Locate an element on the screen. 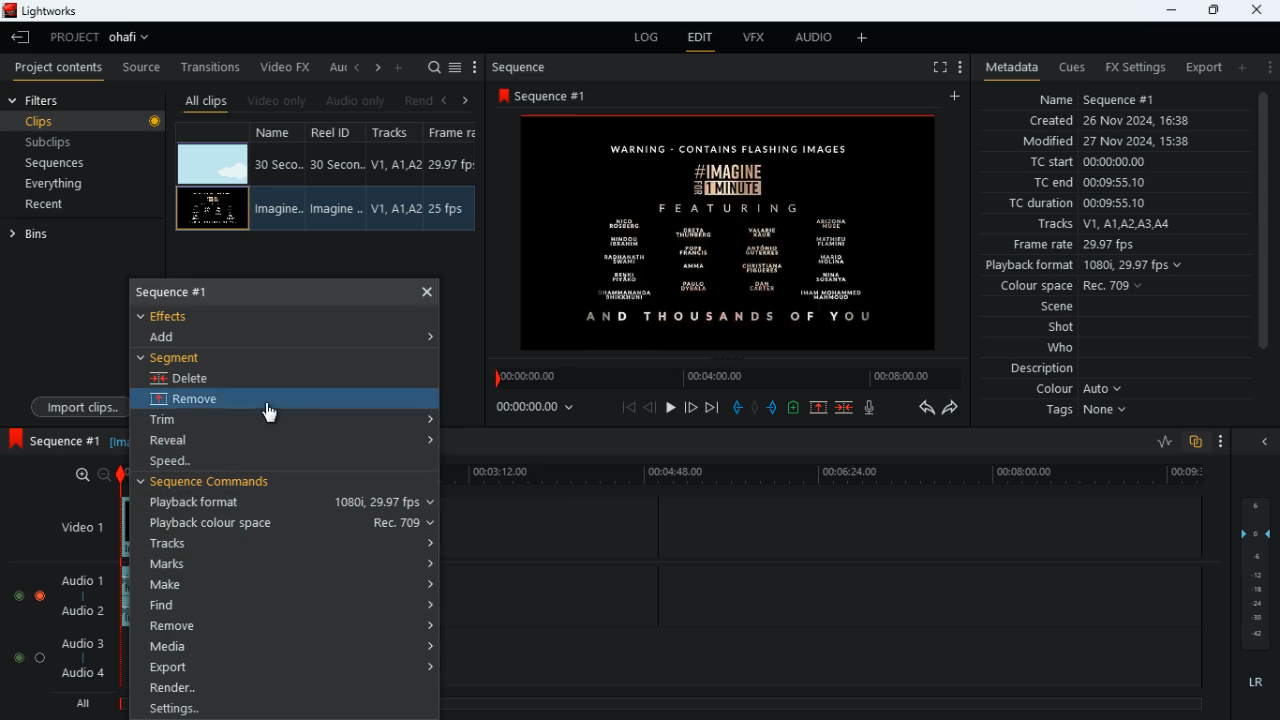 The width and height of the screenshot is (1280, 720). audio selection buttons is located at coordinates (29, 659).